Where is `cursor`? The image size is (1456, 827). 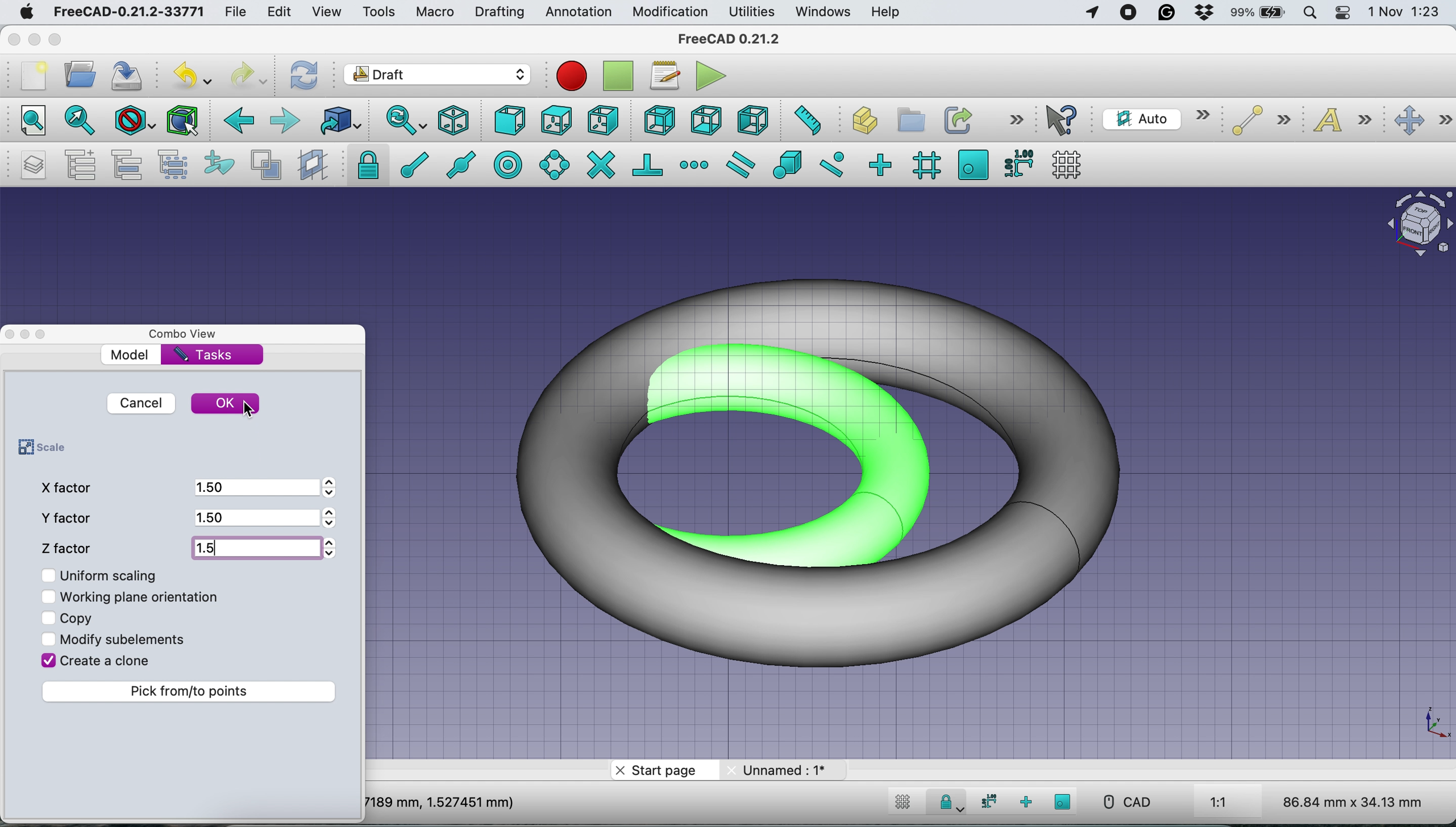
cursor is located at coordinates (248, 408).